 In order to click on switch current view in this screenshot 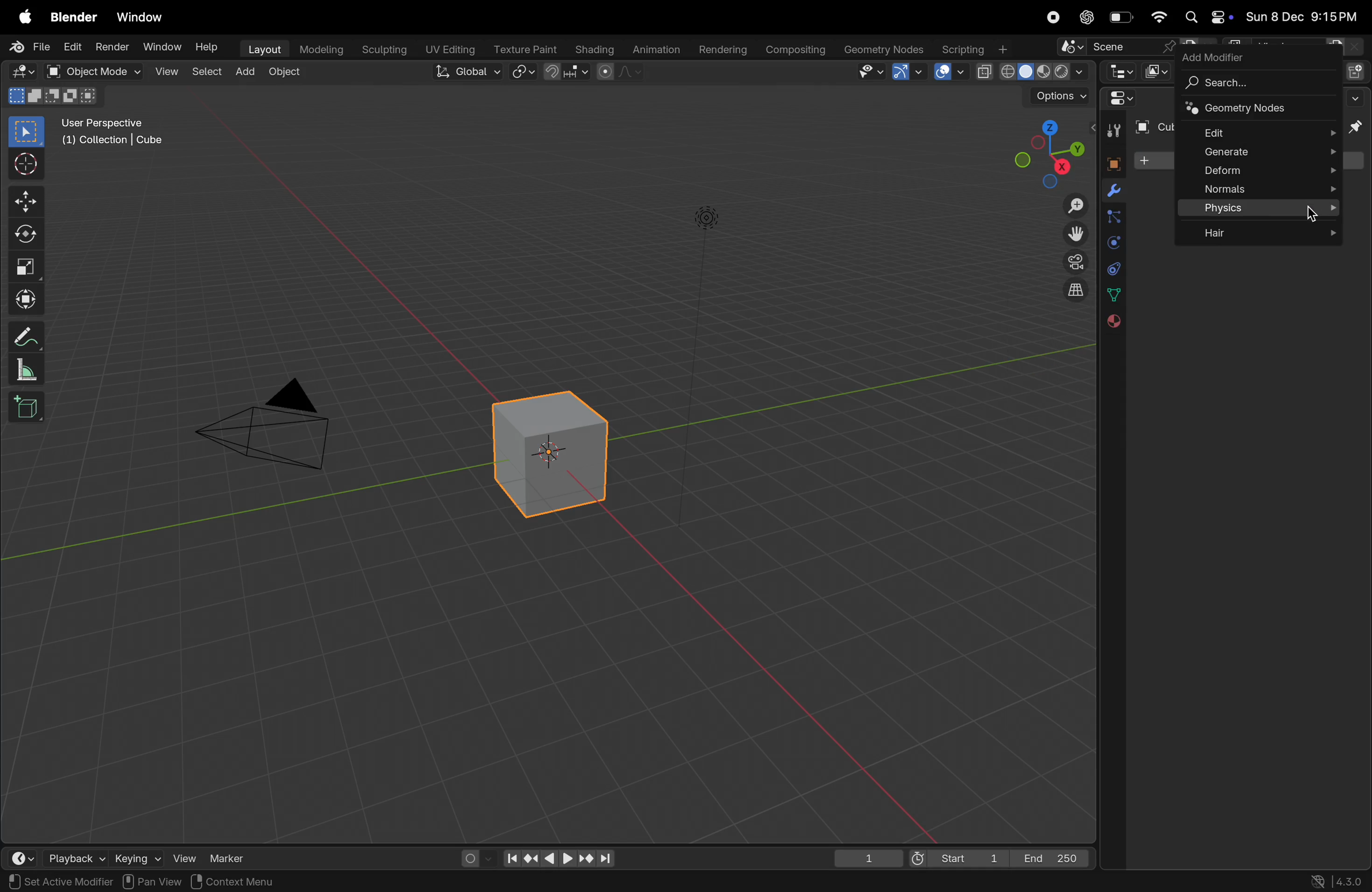, I will do `click(1069, 293)`.